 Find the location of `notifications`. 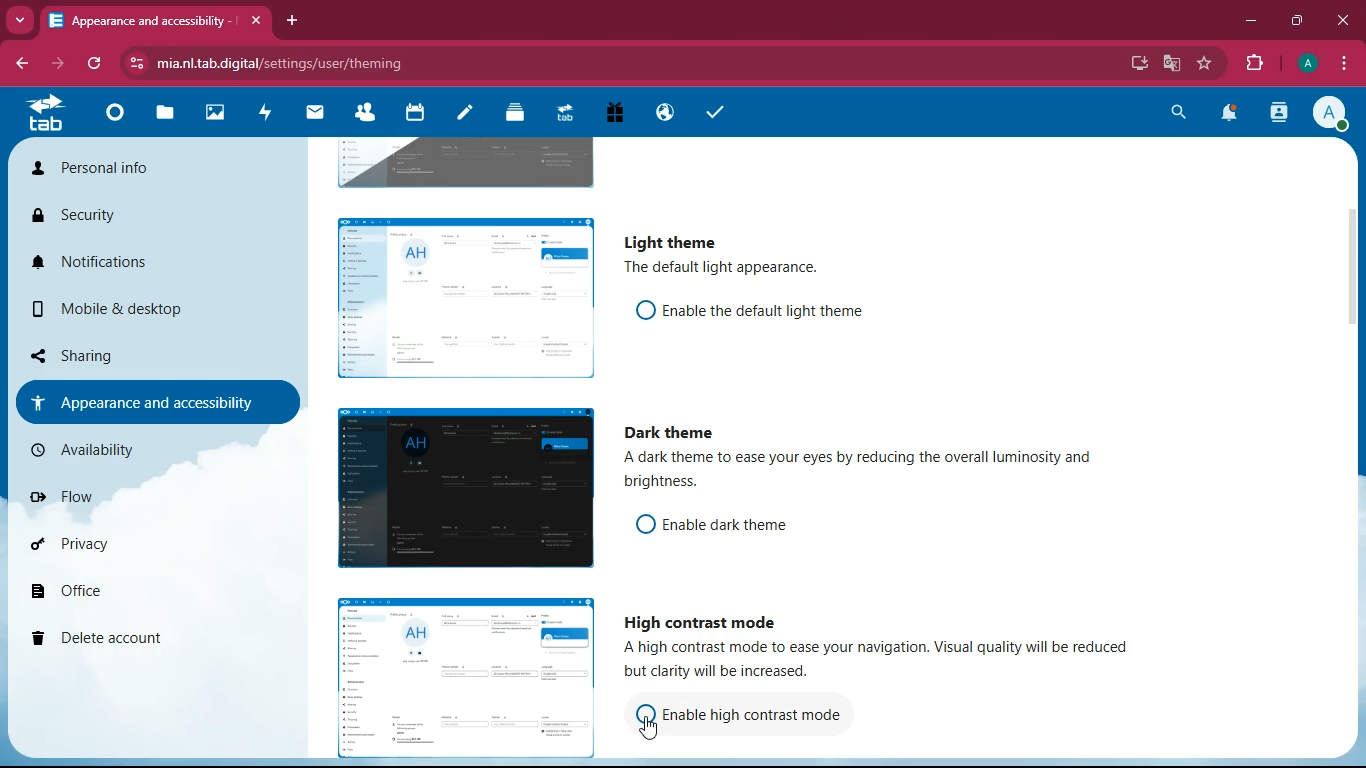

notifications is located at coordinates (1234, 115).